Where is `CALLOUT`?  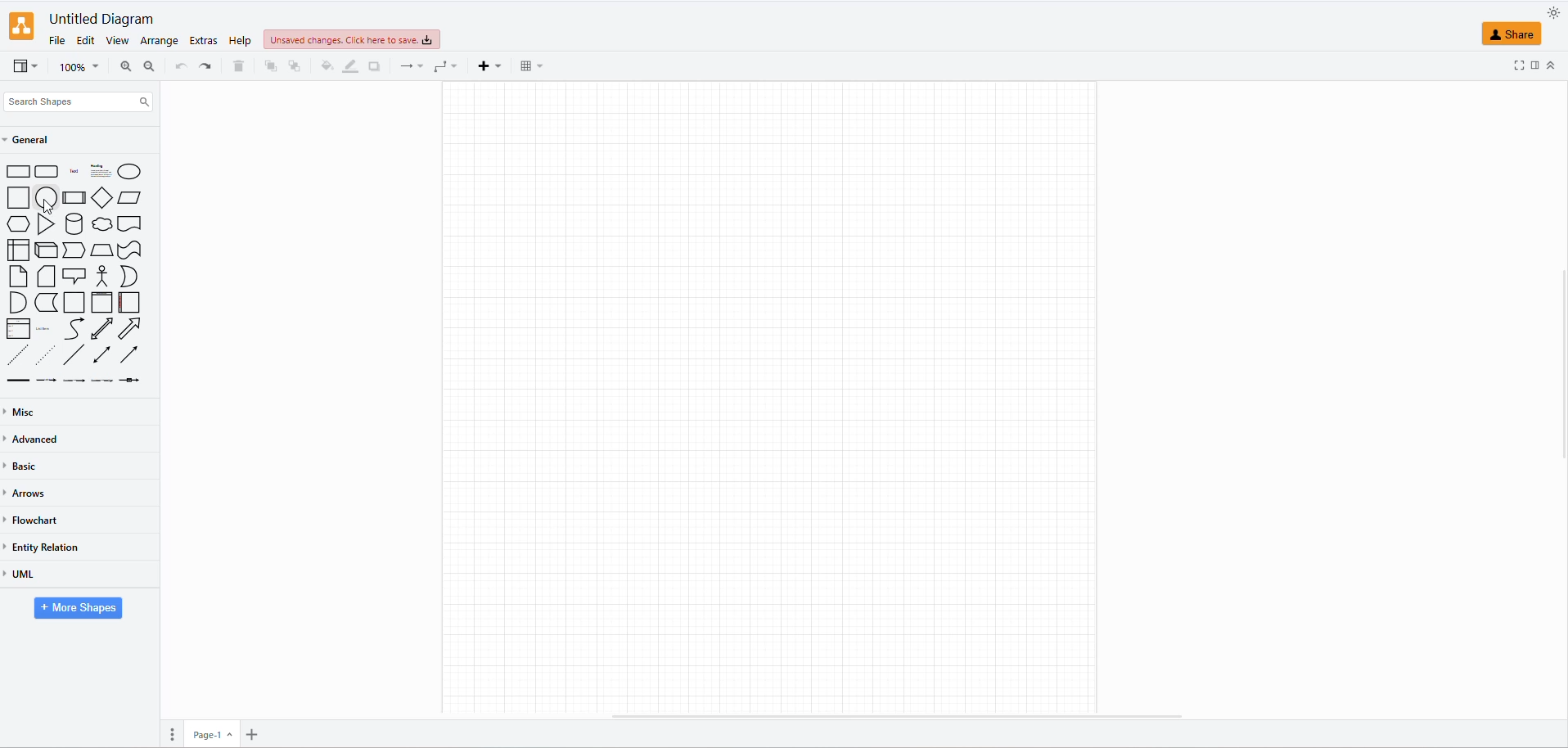
CALLOUT is located at coordinates (74, 277).